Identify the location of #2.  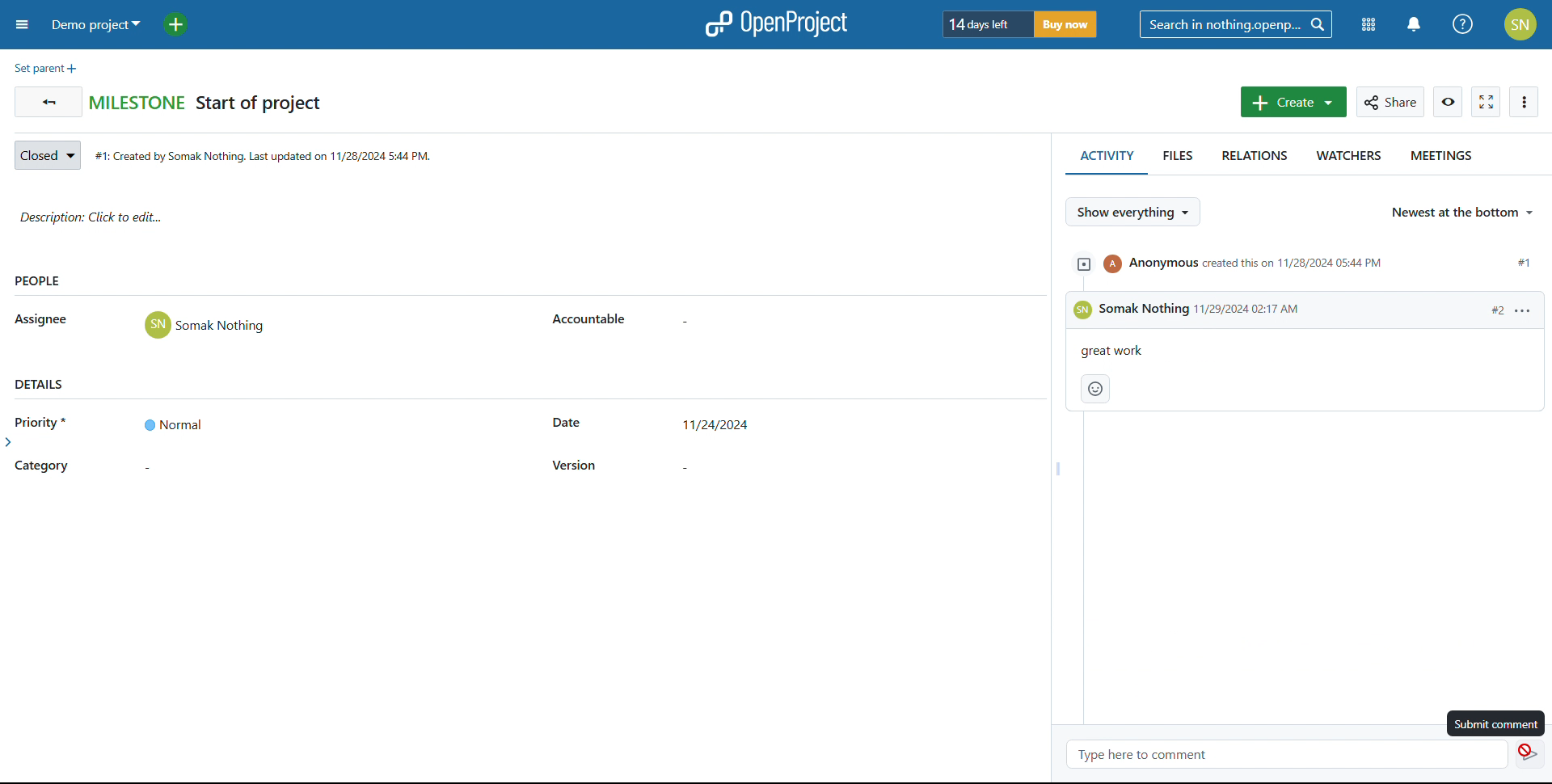
(1486, 311).